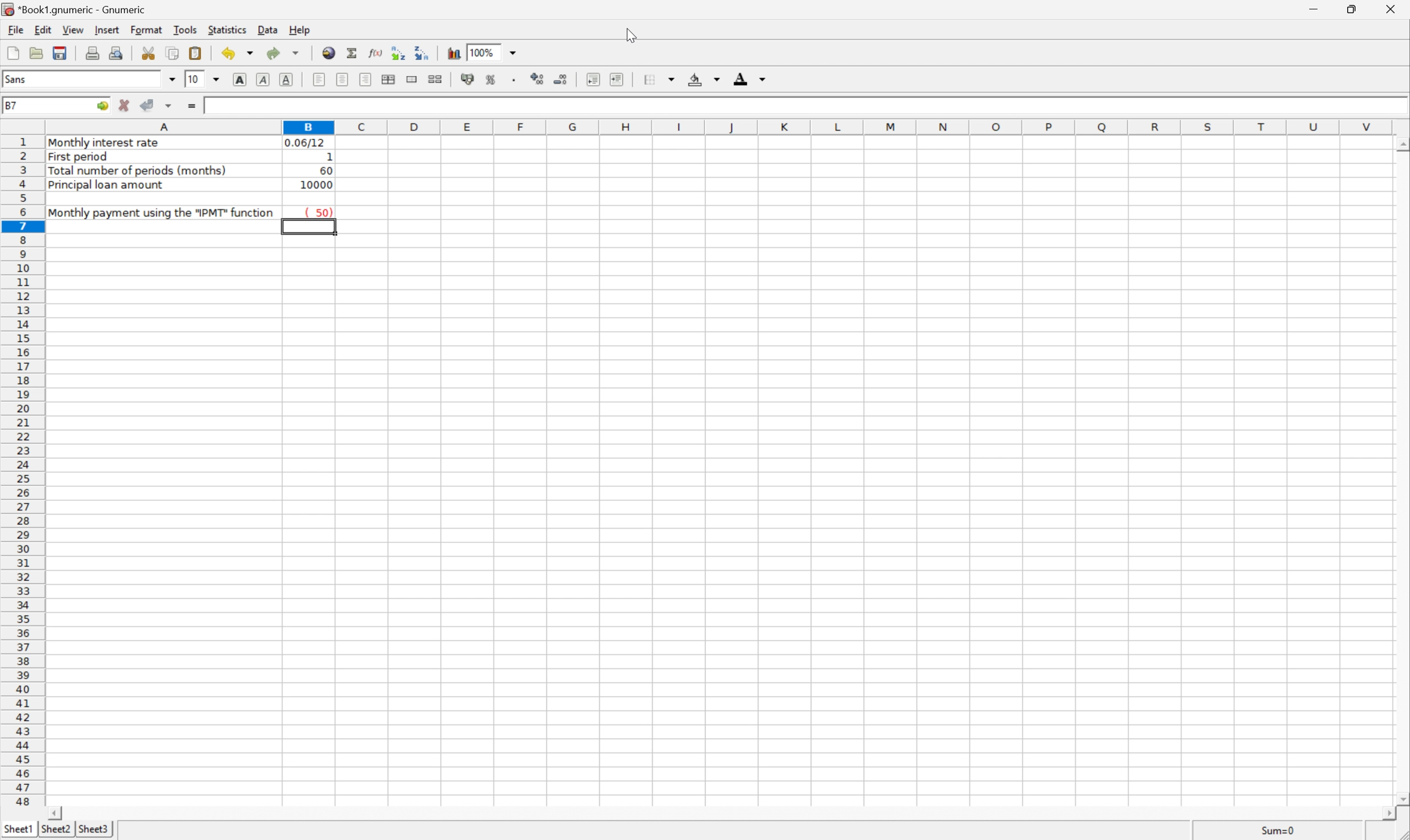  Describe the element at coordinates (422, 53) in the screenshot. I see `Sort the selected region in descending order based on the first column selected` at that location.